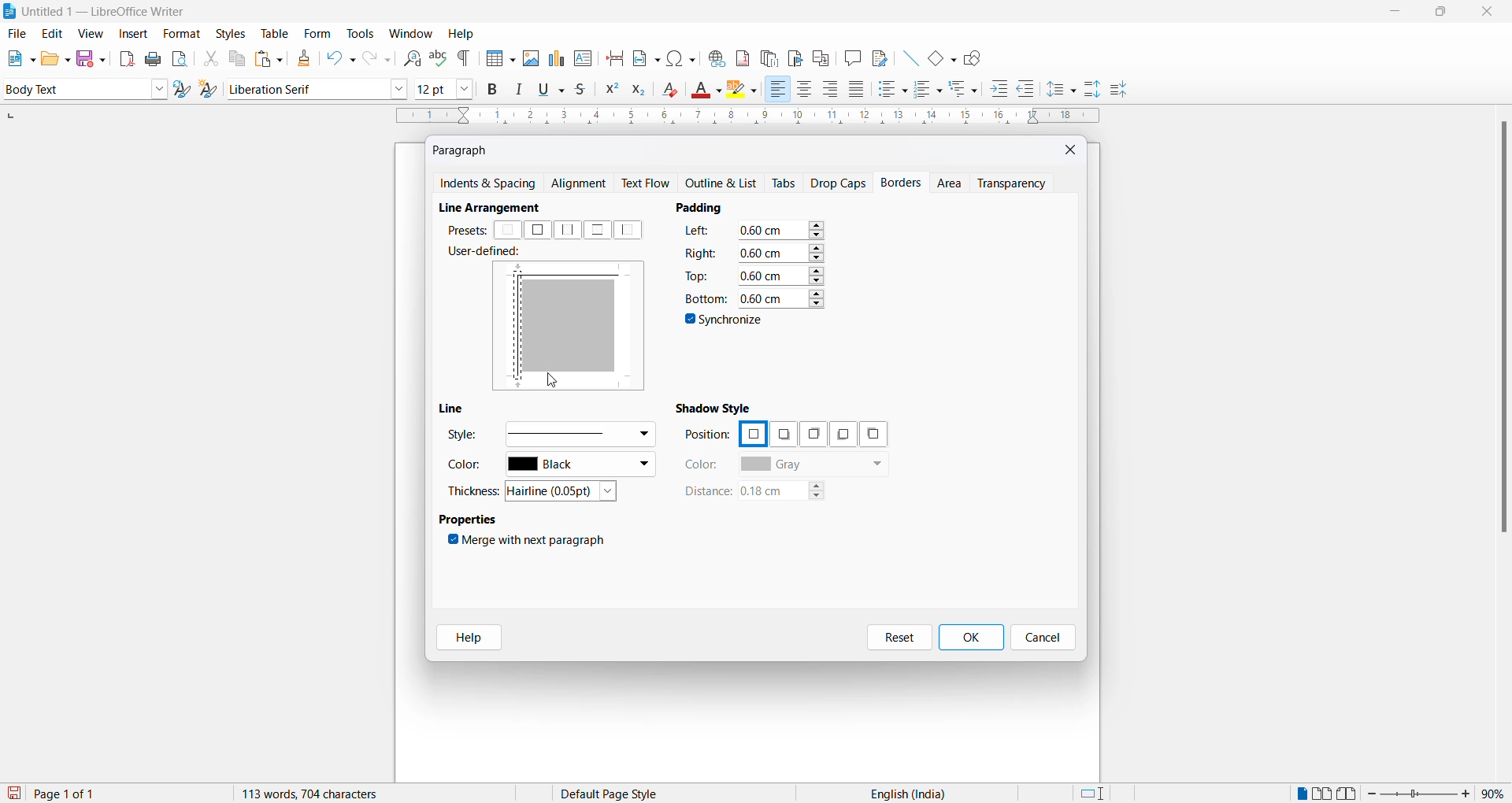  Describe the element at coordinates (706, 207) in the screenshot. I see `padding` at that location.